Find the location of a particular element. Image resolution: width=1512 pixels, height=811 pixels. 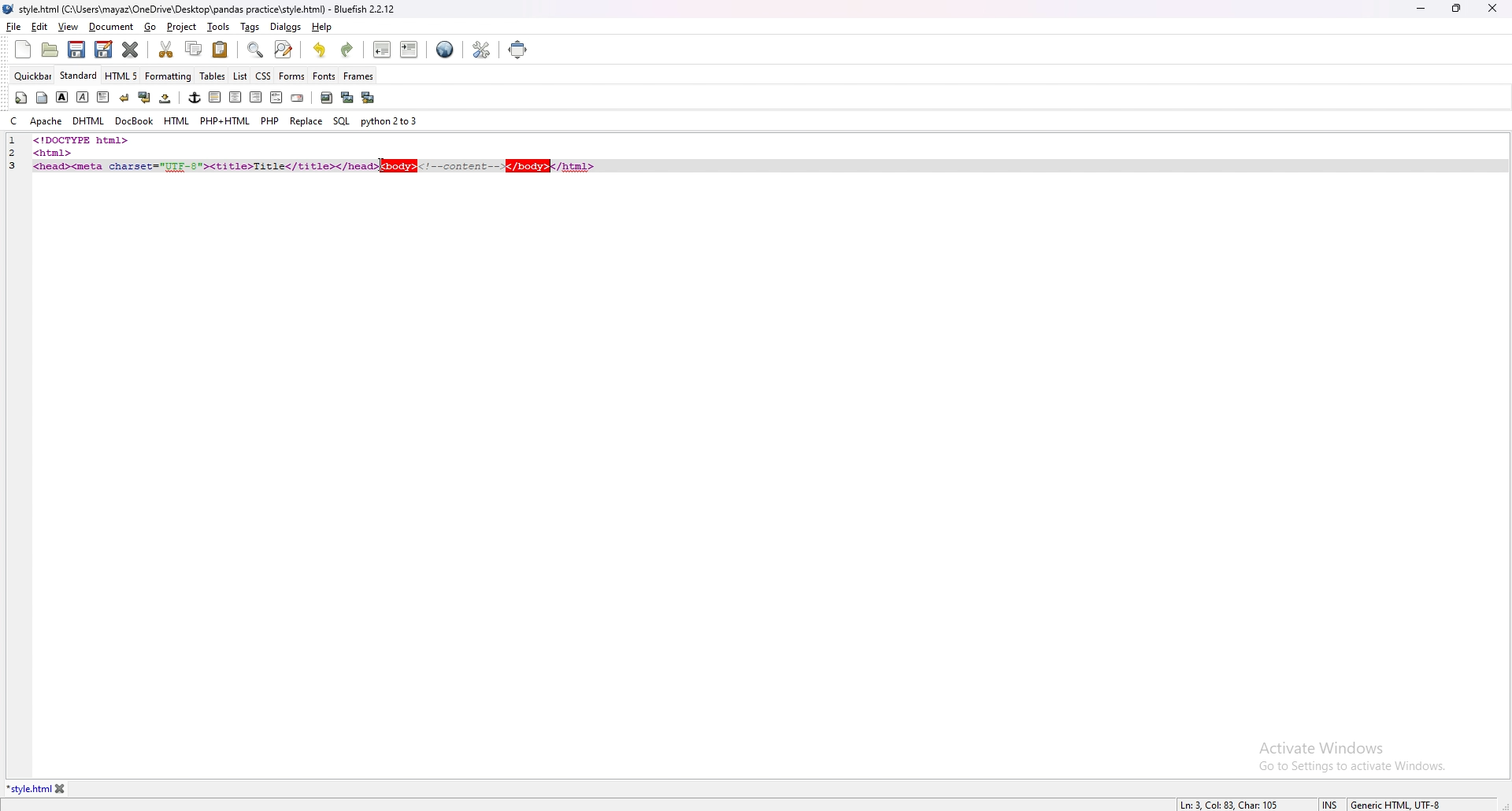

copy is located at coordinates (195, 49).